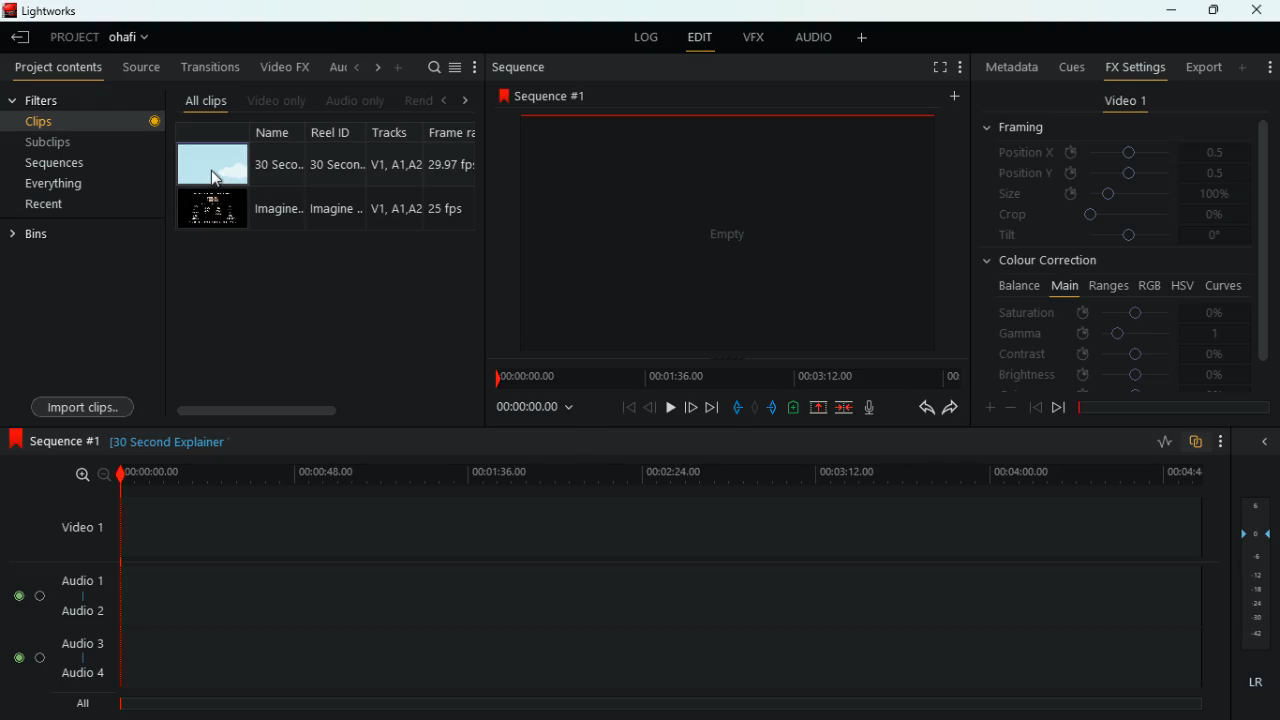  Describe the element at coordinates (78, 702) in the screenshot. I see `all` at that location.